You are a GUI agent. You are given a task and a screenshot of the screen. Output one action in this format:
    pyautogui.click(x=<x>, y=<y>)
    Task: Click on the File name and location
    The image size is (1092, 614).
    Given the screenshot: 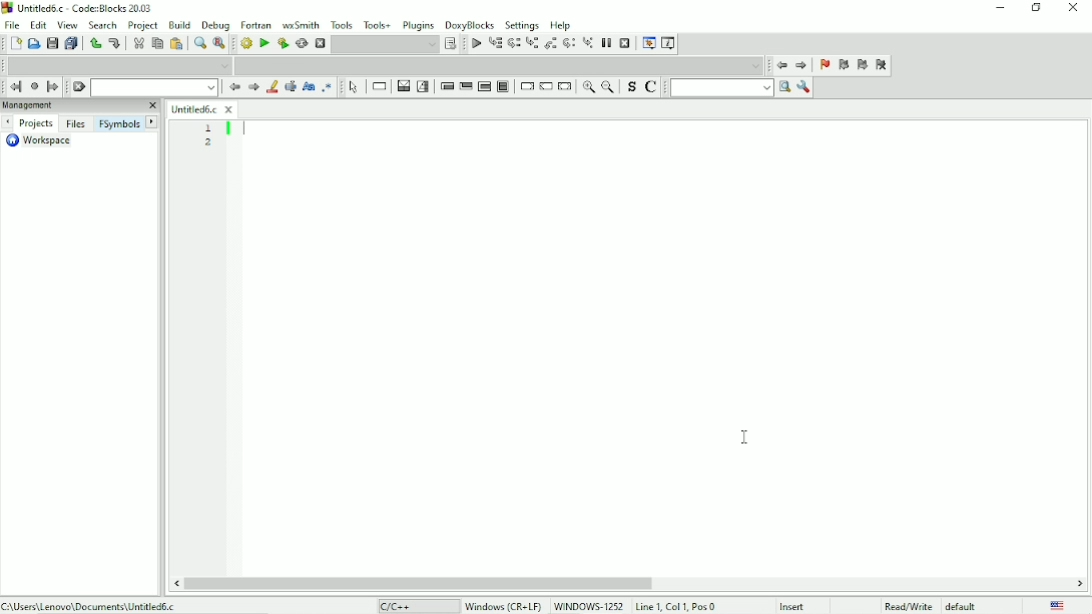 What is the action you would take?
    pyautogui.click(x=89, y=604)
    